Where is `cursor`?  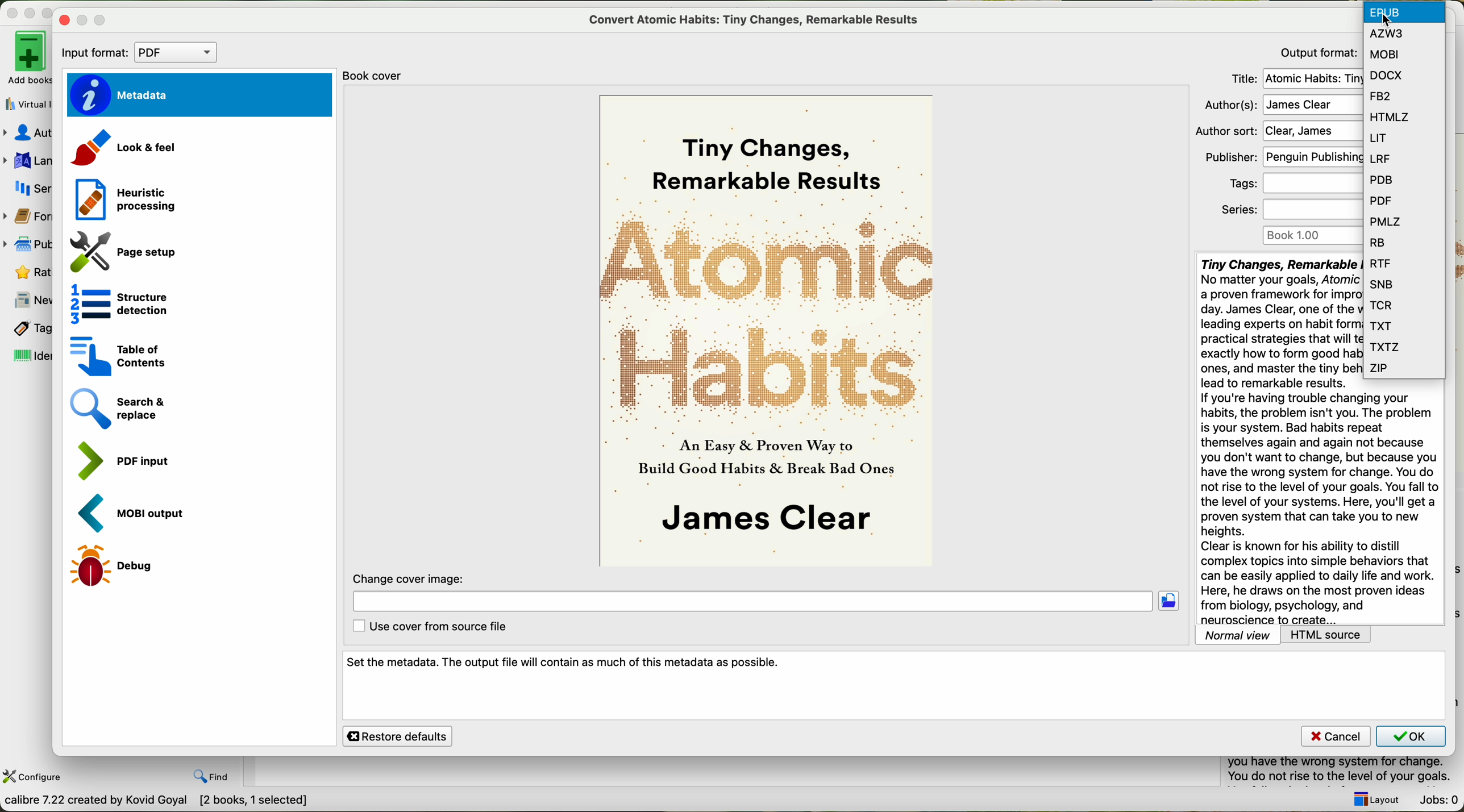 cursor is located at coordinates (1387, 23).